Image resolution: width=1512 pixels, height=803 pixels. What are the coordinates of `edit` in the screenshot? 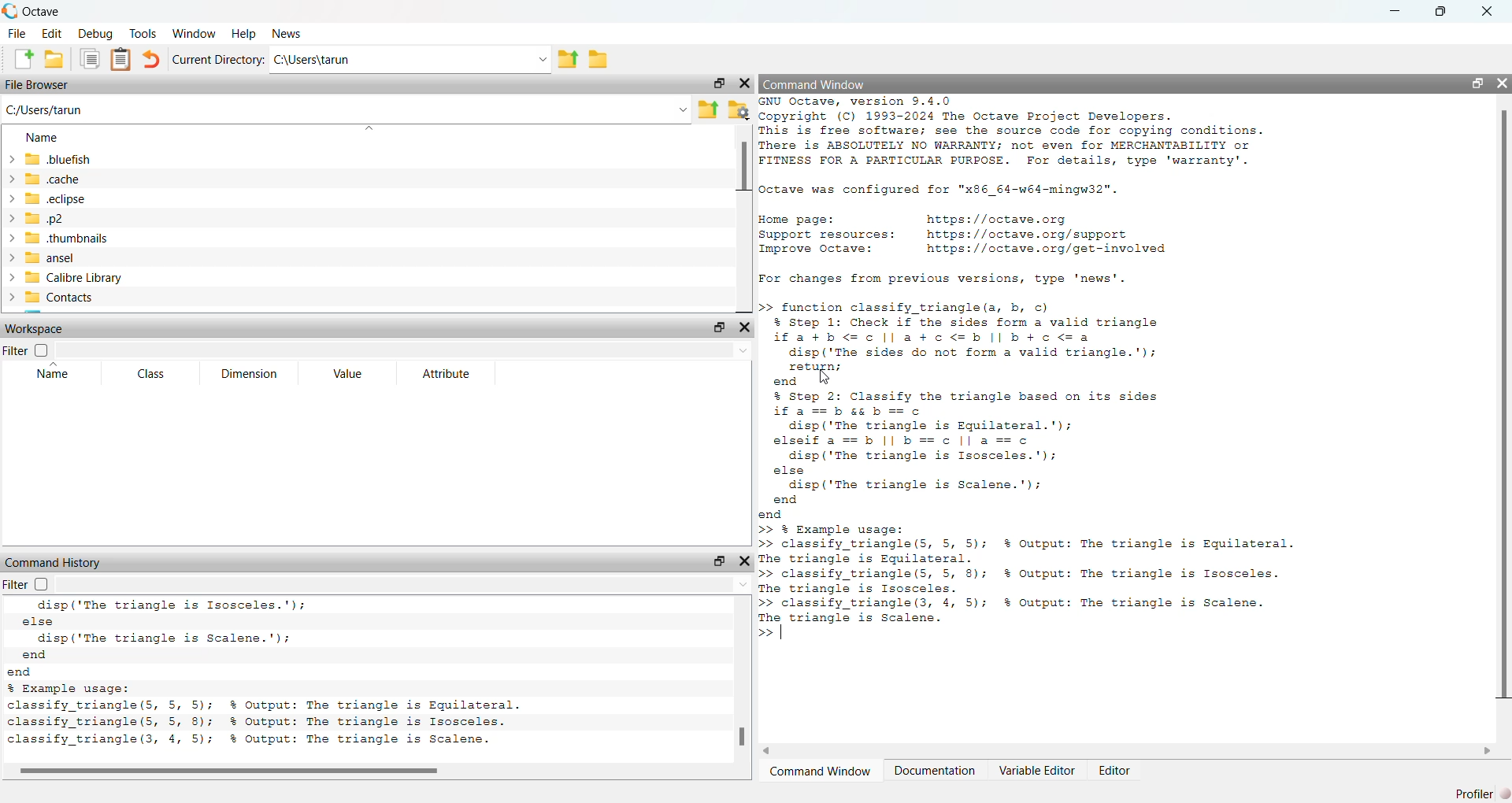 It's located at (51, 33).